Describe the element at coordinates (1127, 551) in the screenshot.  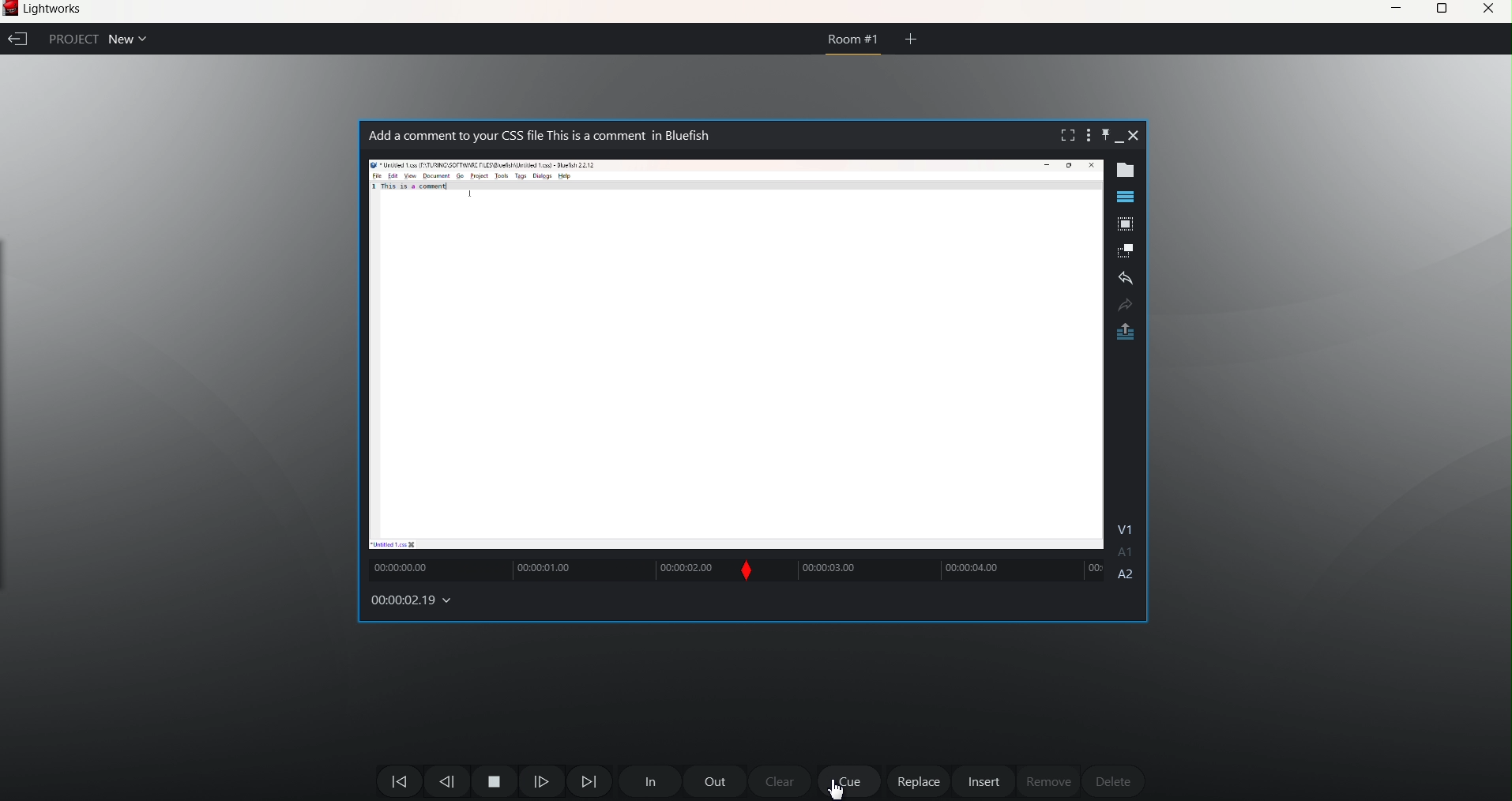
I see `A1` at that location.